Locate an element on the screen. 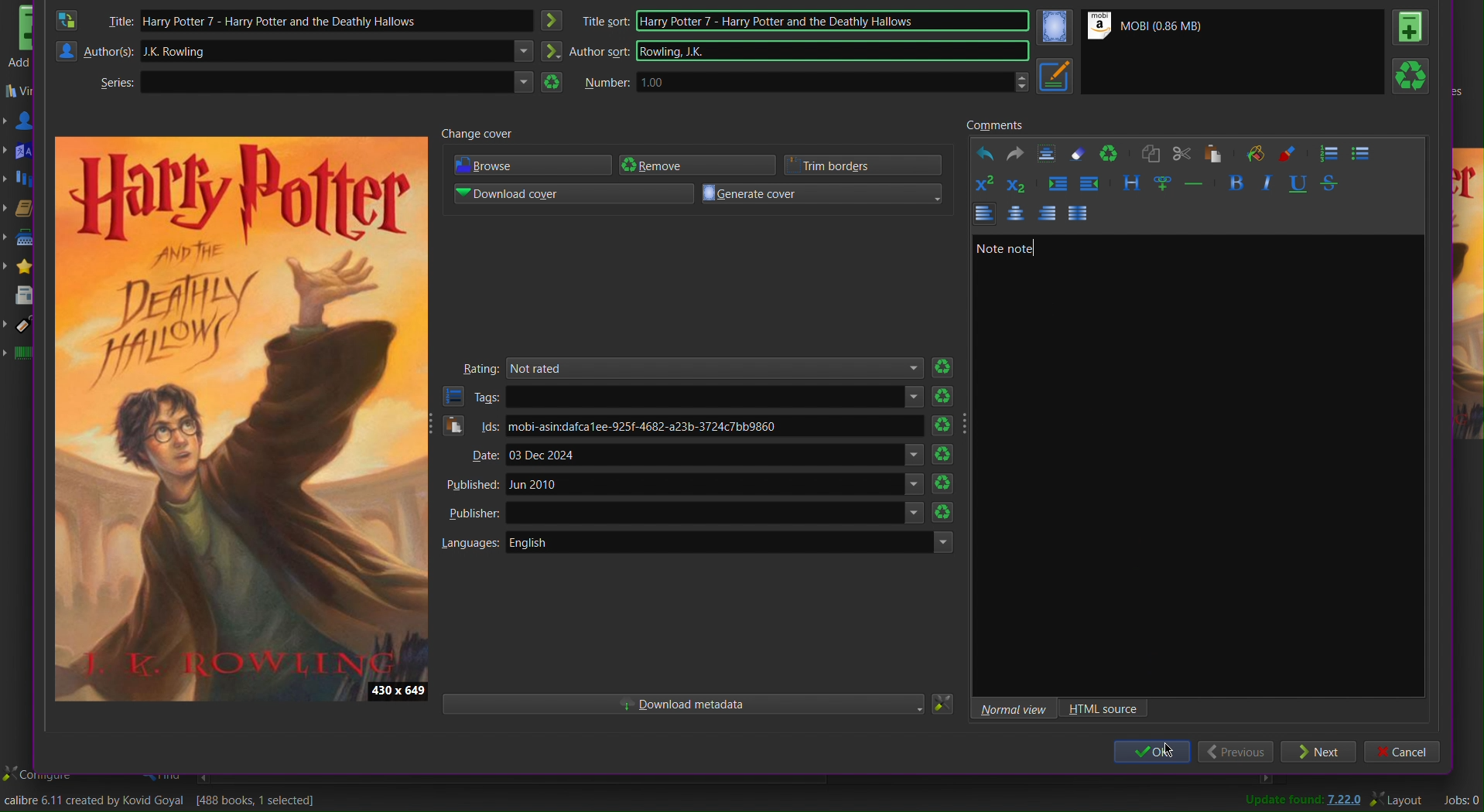 The height and width of the screenshot is (812, 1484). refresh is located at coordinates (942, 452).